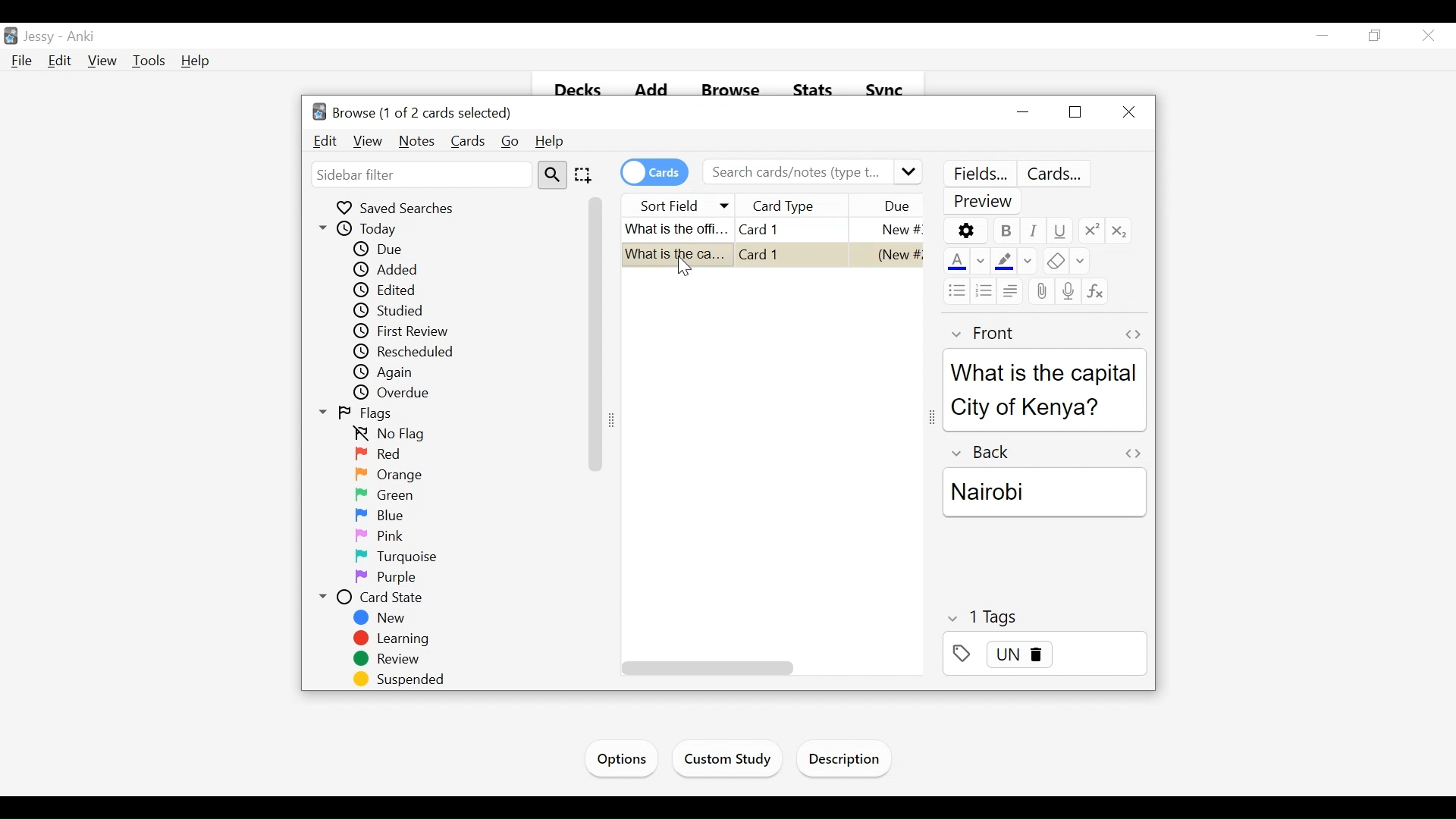 The width and height of the screenshot is (1456, 819). What do you see at coordinates (1059, 231) in the screenshot?
I see `Underline` at bounding box center [1059, 231].